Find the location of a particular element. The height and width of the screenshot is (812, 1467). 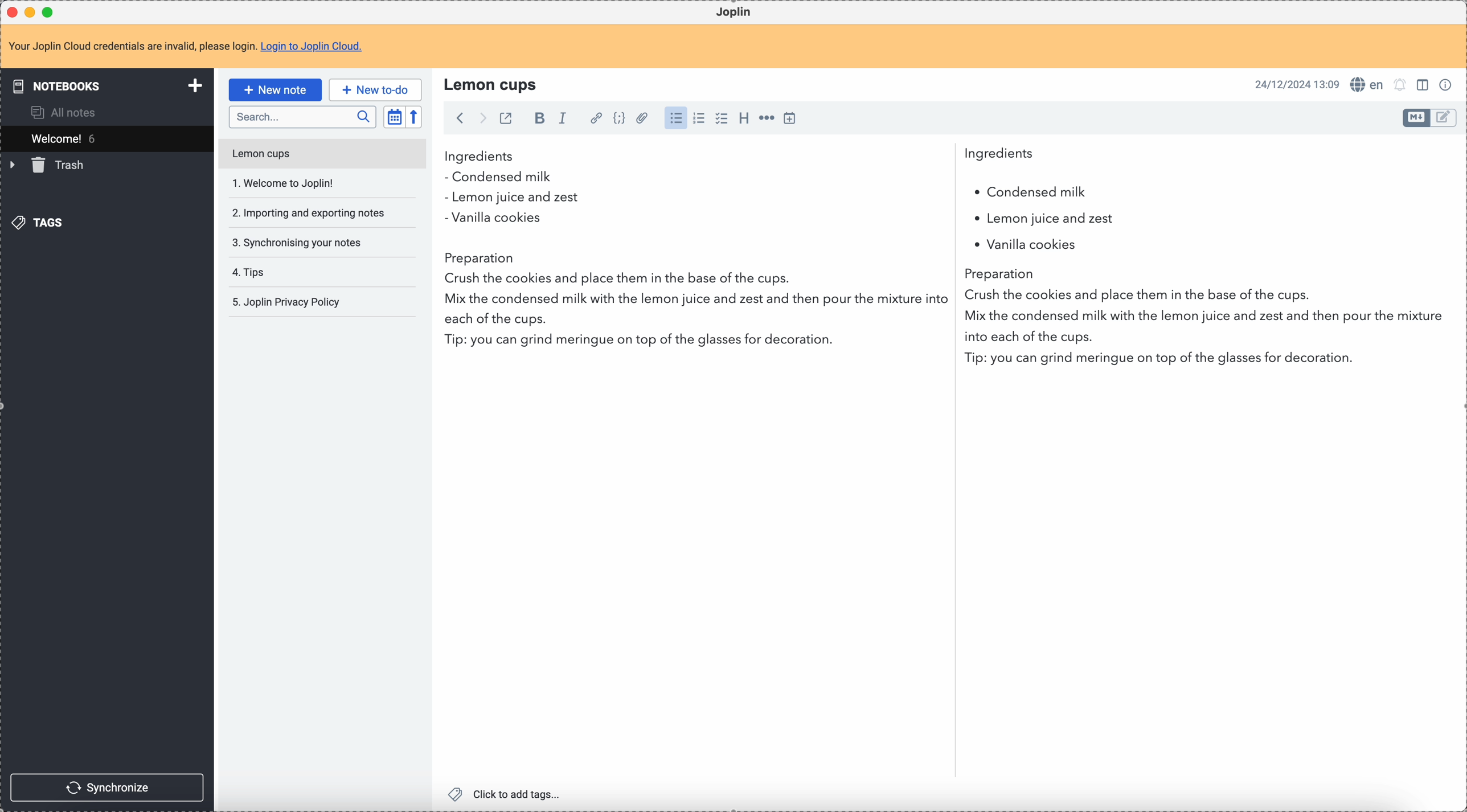

preparation is located at coordinates (947, 313).